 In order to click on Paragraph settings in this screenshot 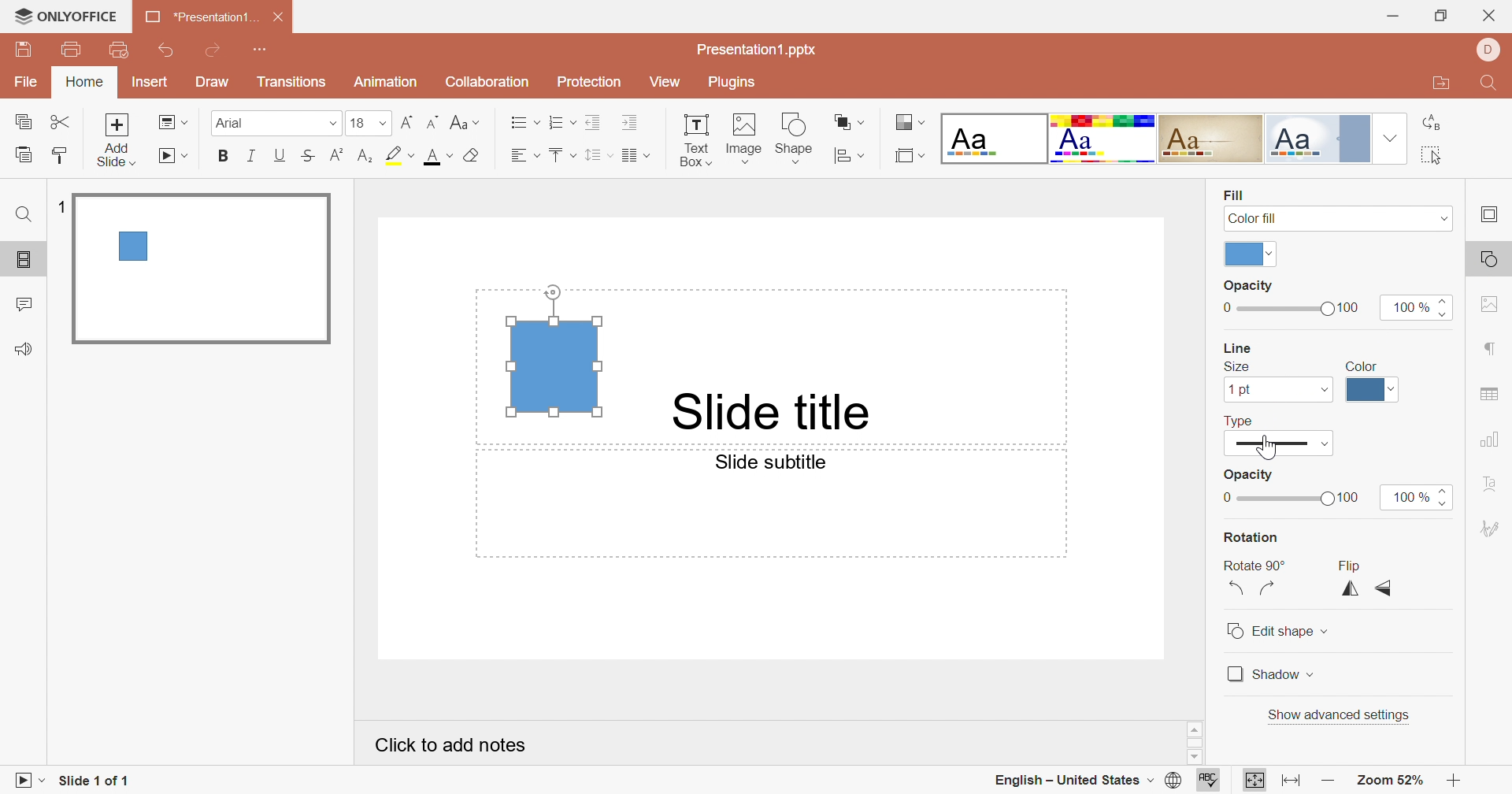, I will do `click(1494, 351)`.